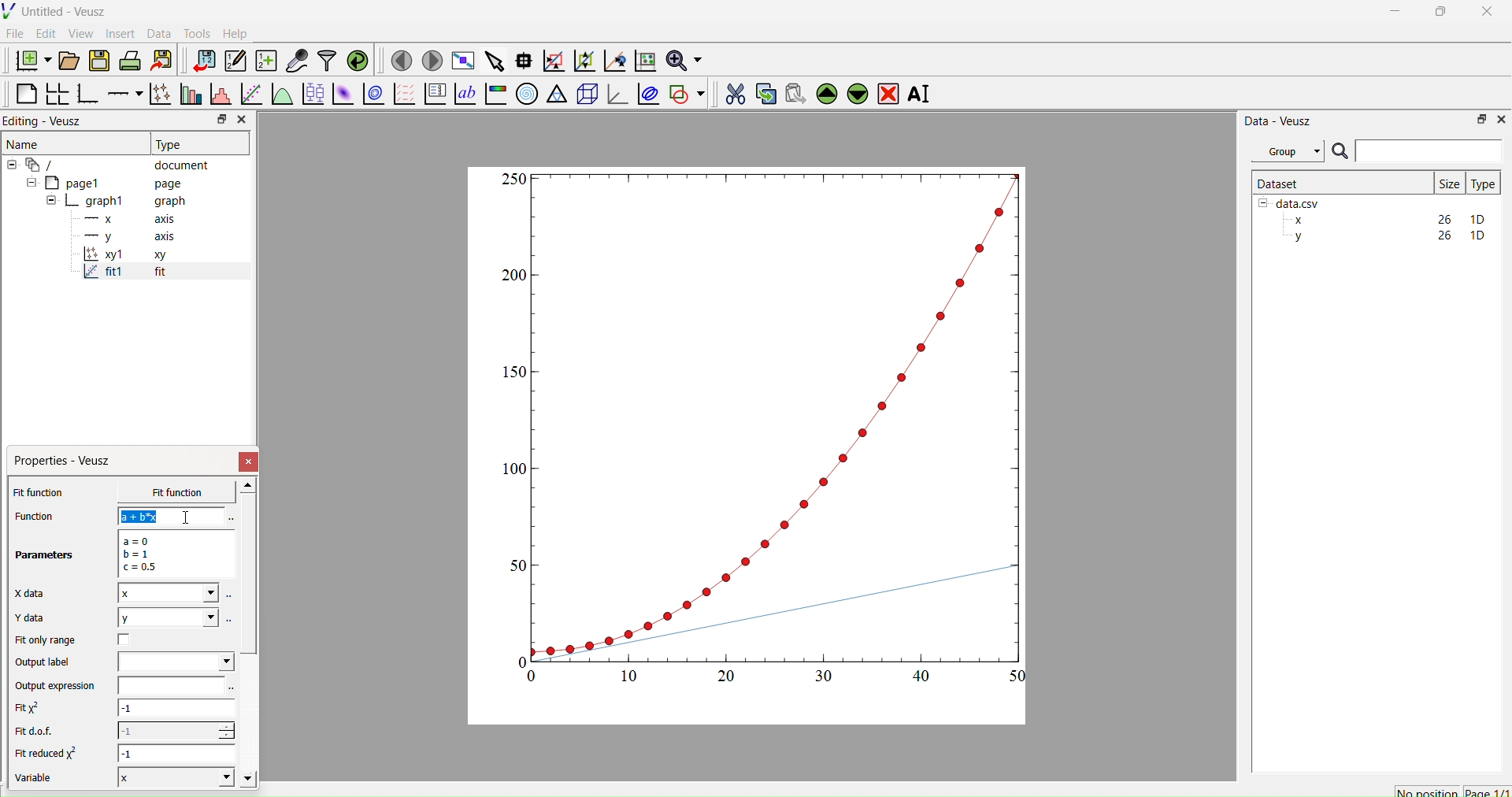 The height and width of the screenshot is (797, 1512). Describe the element at coordinates (32, 516) in the screenshot. I see `Function` at that location.